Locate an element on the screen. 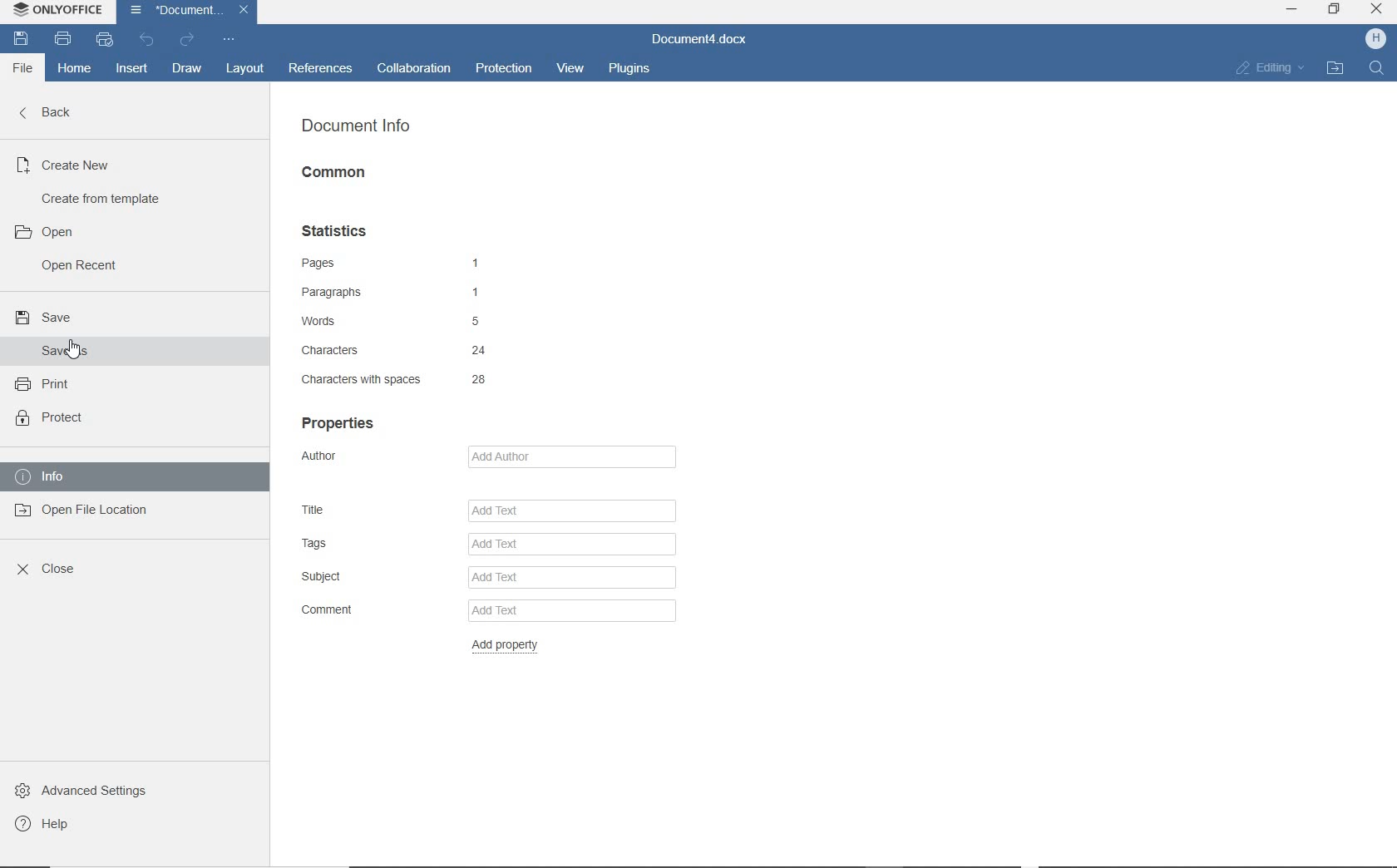  statistics is located at coordinates (338, 233).